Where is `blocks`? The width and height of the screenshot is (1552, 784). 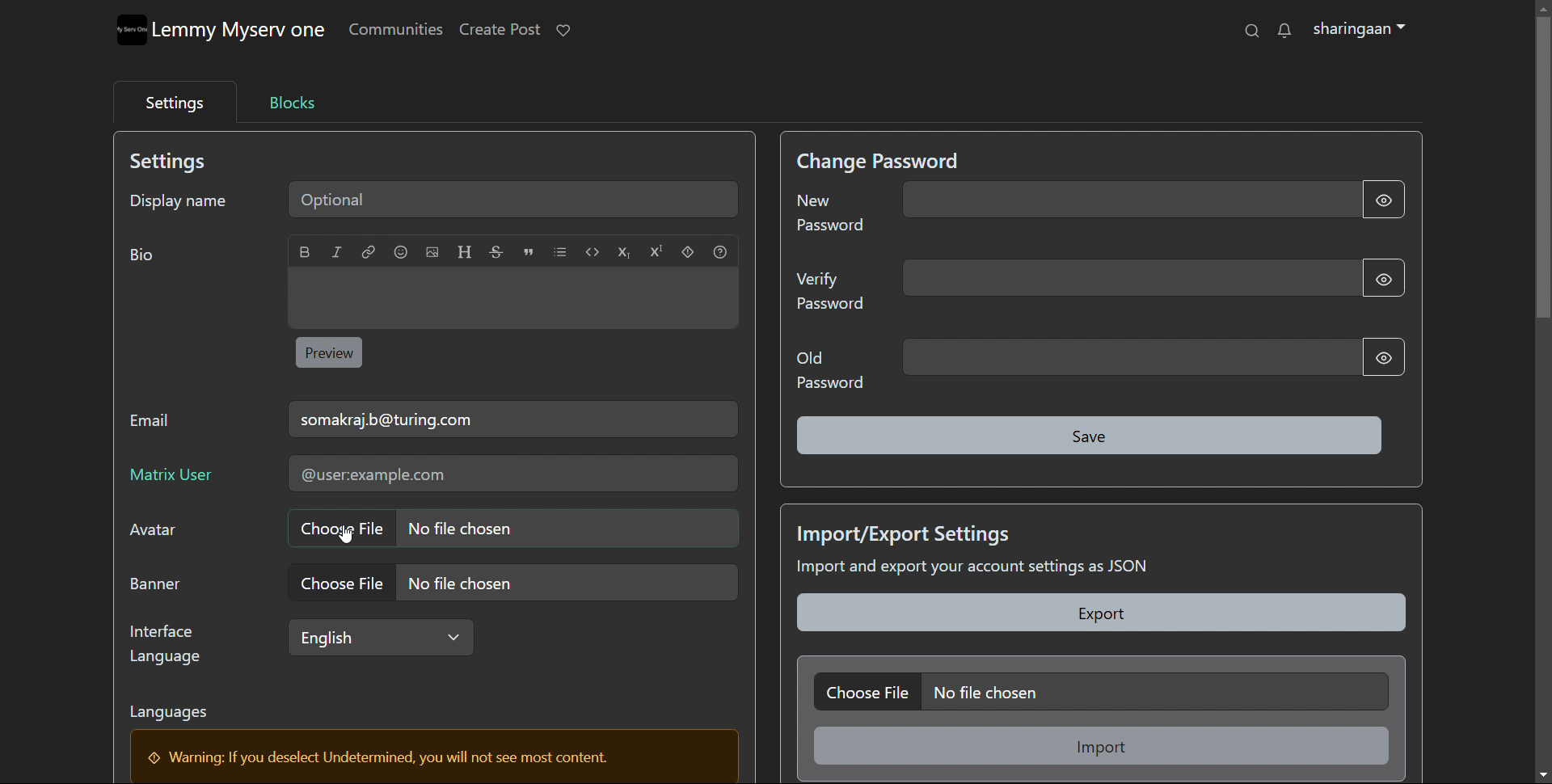
blocks is located at coordinates (293, 102).